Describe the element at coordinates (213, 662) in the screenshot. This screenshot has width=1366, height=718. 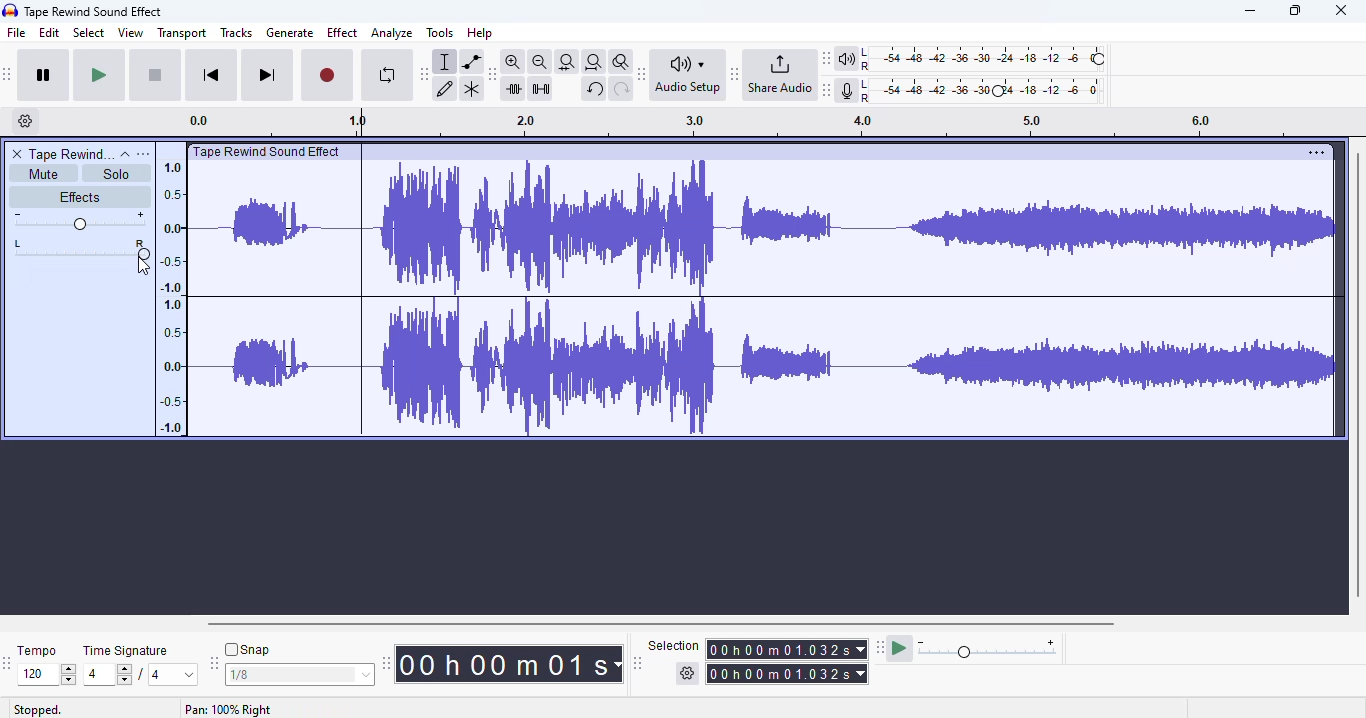
I see `audacity snapping toolbar` at that location.